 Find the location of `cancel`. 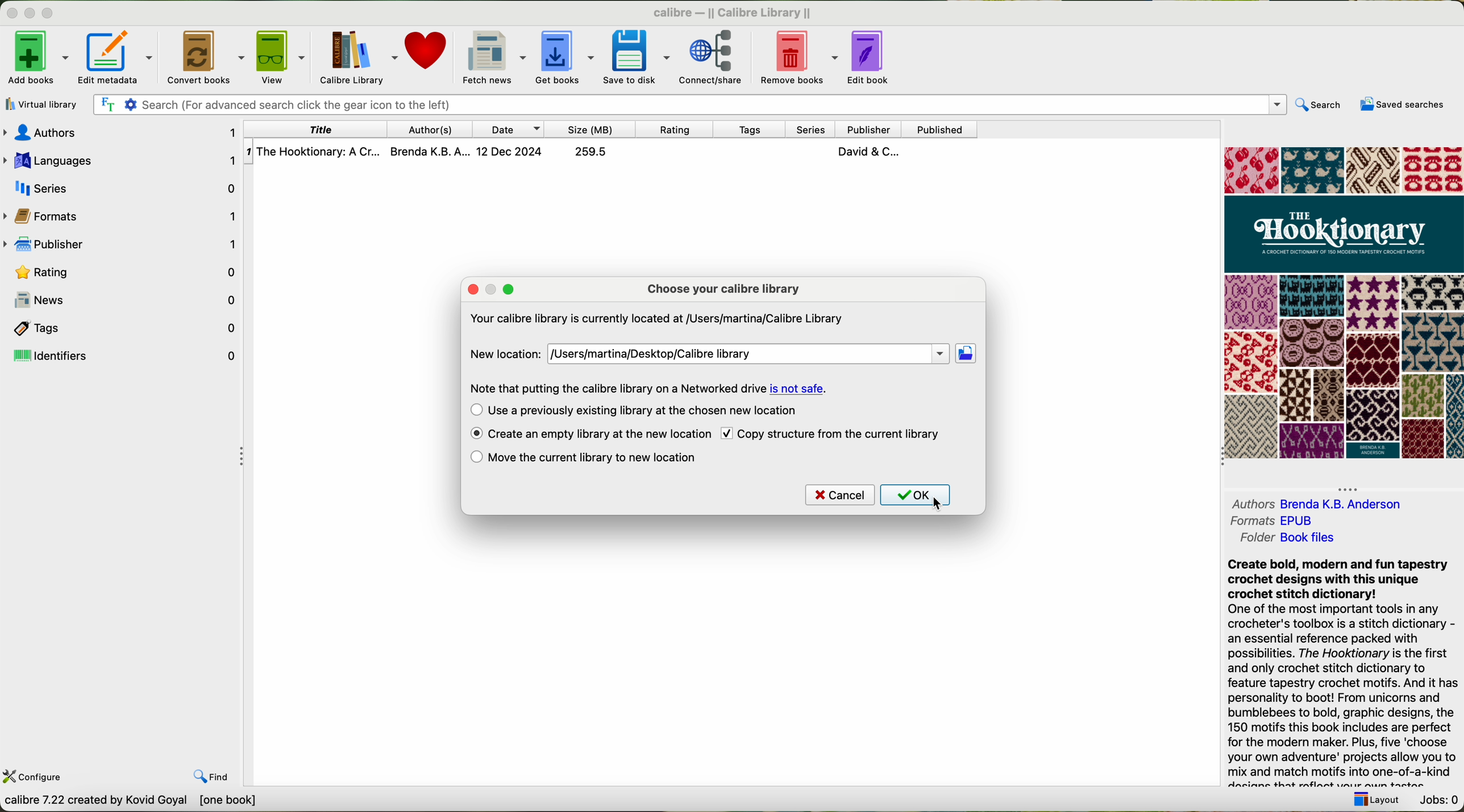

cancel is located at coordinates (840, 494).